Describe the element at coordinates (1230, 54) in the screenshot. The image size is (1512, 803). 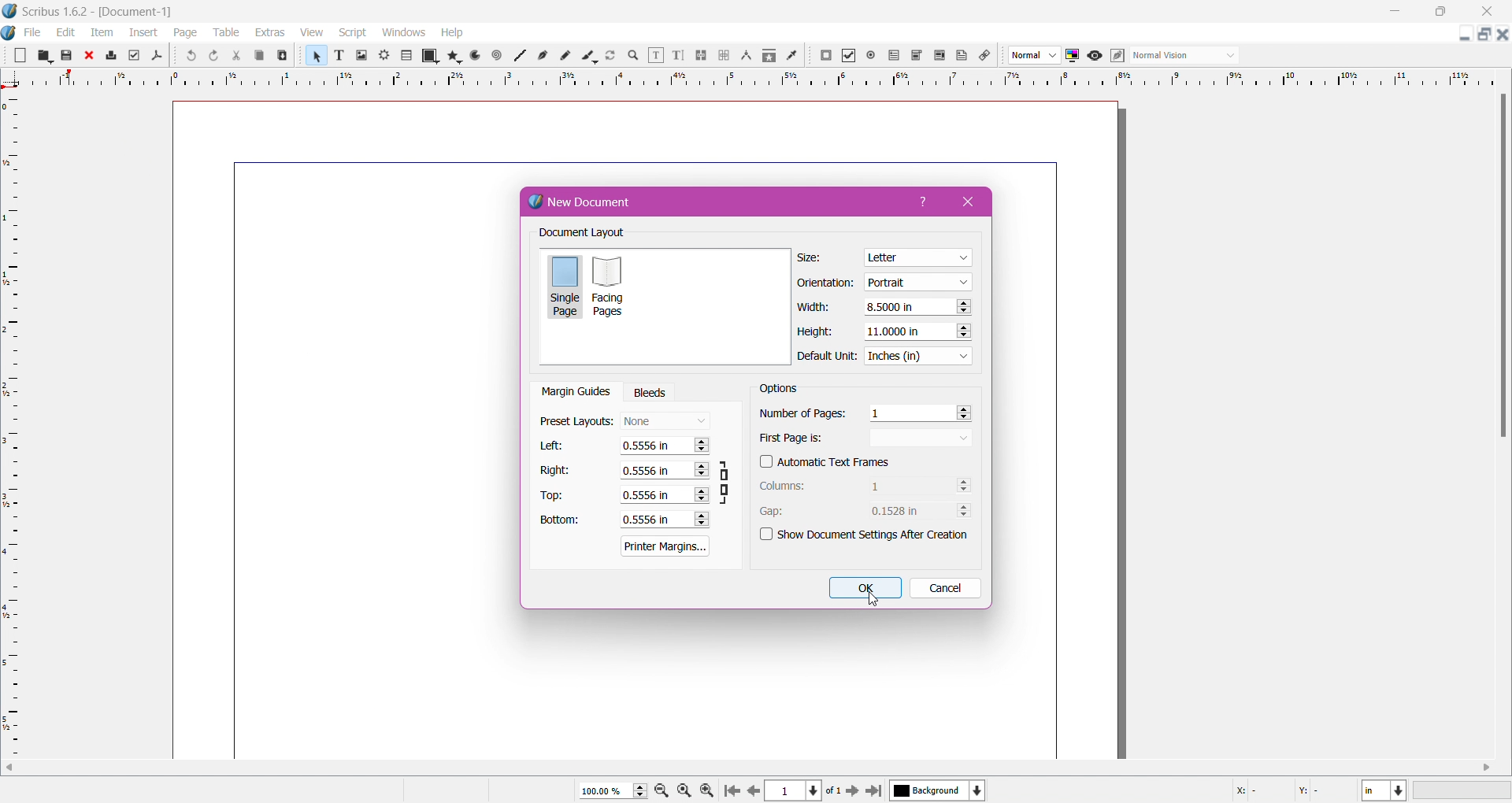
I see `Drop down menu` at that location.